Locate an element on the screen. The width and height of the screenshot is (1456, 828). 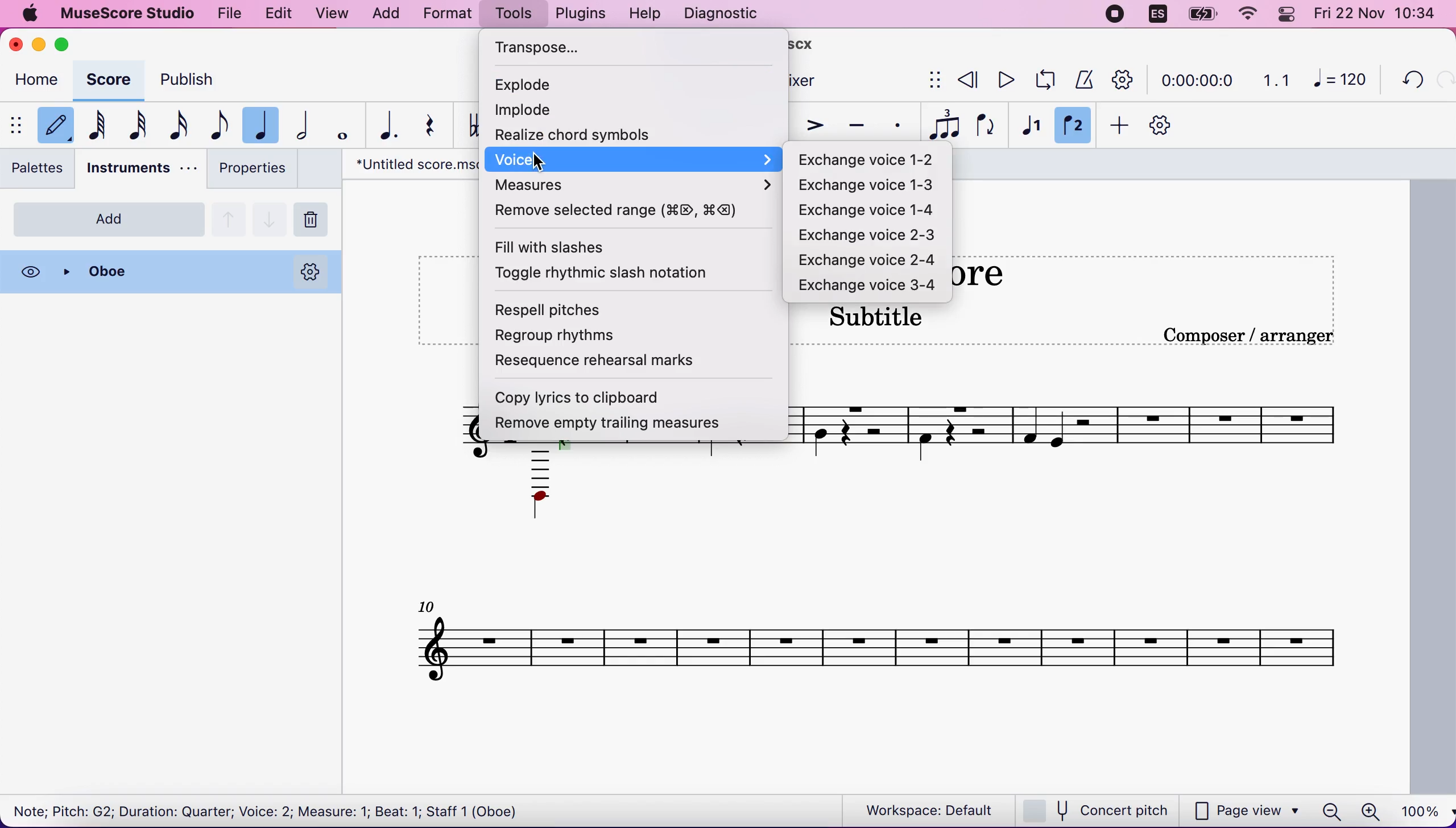
fill with slashes is located at coordinates (575, 246).